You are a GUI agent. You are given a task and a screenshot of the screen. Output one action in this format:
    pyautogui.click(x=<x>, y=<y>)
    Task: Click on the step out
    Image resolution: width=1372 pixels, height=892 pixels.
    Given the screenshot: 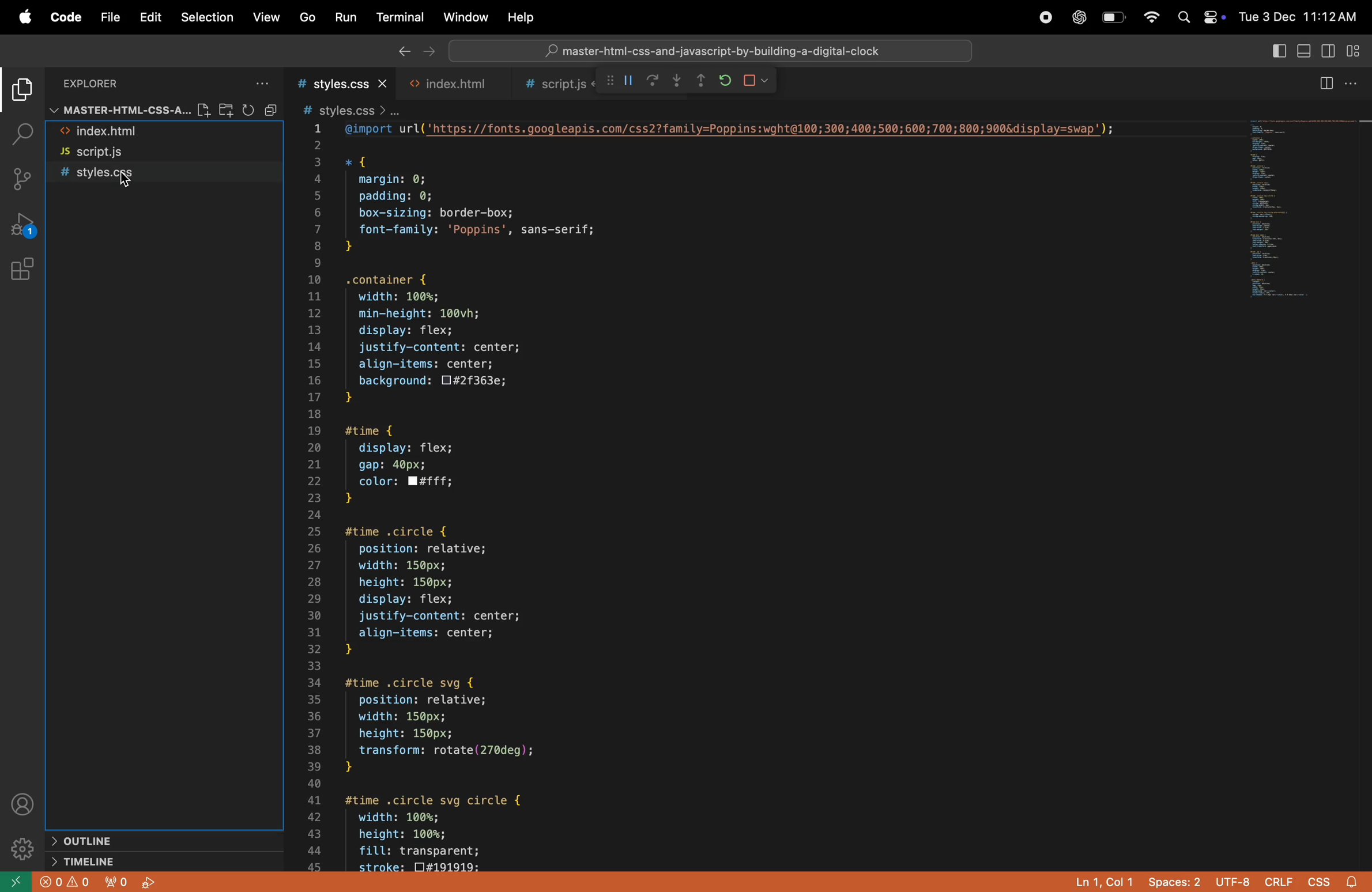 What is the action you would take?
    pyautogui.click(x=679, y=82)
    